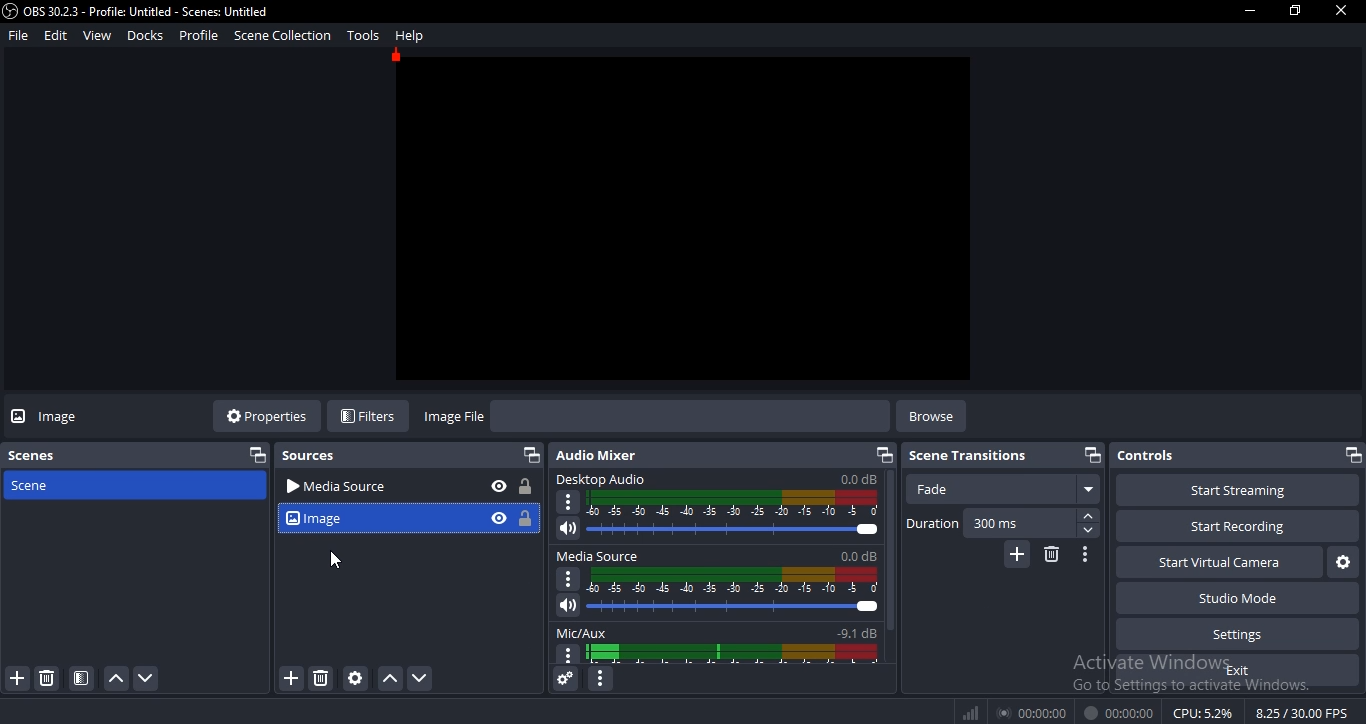 Image resolution: width=1366 pixels, height=724 pixels. I want to click on volume slider, so click(719, 607).